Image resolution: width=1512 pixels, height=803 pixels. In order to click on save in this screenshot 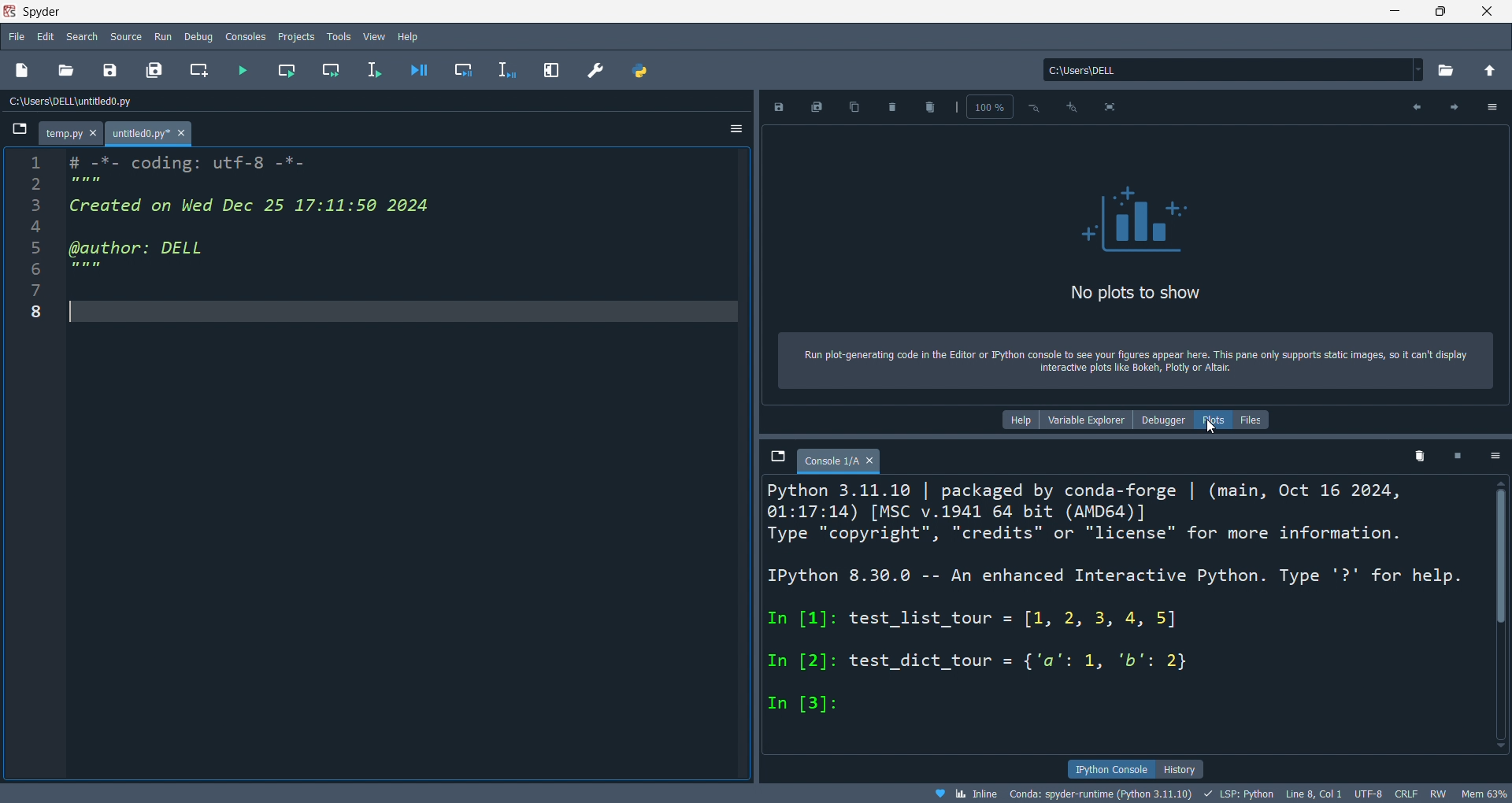, I will do `click(111, 69)`.